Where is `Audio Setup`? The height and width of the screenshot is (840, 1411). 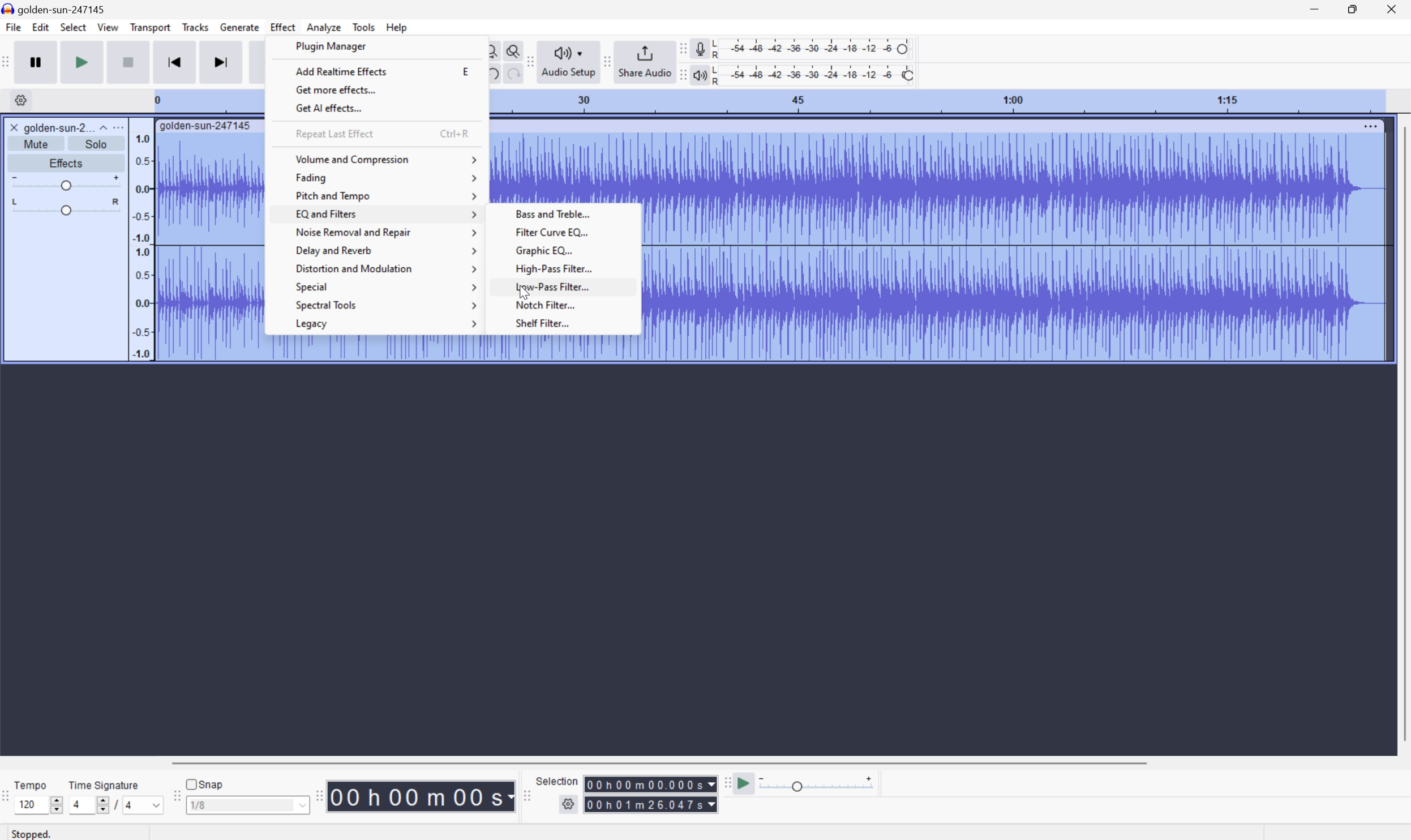 Audio Setup is located at coordinates (568, 62).